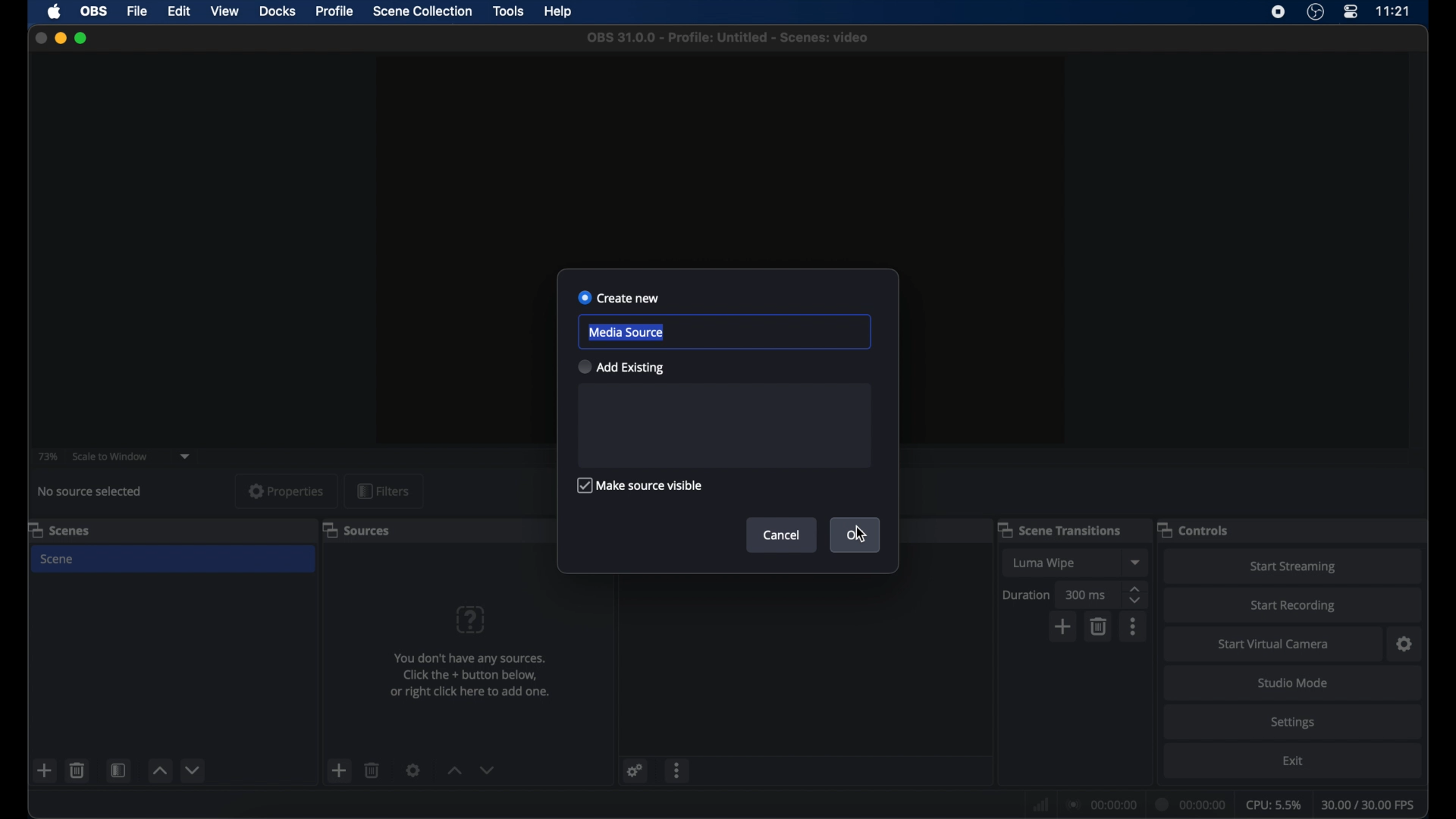  What do you see at coordinates (560, 11) in the screenshot?
I see `help` at bounding box center [560, 11].